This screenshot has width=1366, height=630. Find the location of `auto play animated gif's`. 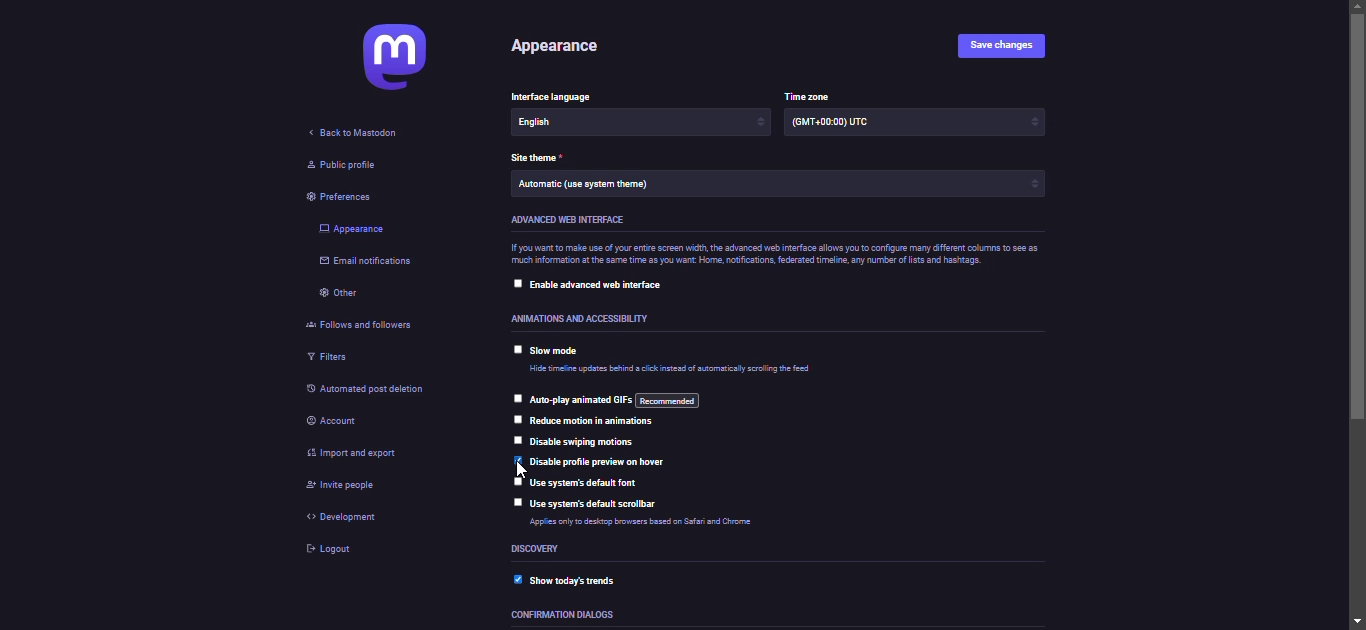

auto play animated gif's is located at coordinates (611, 399).